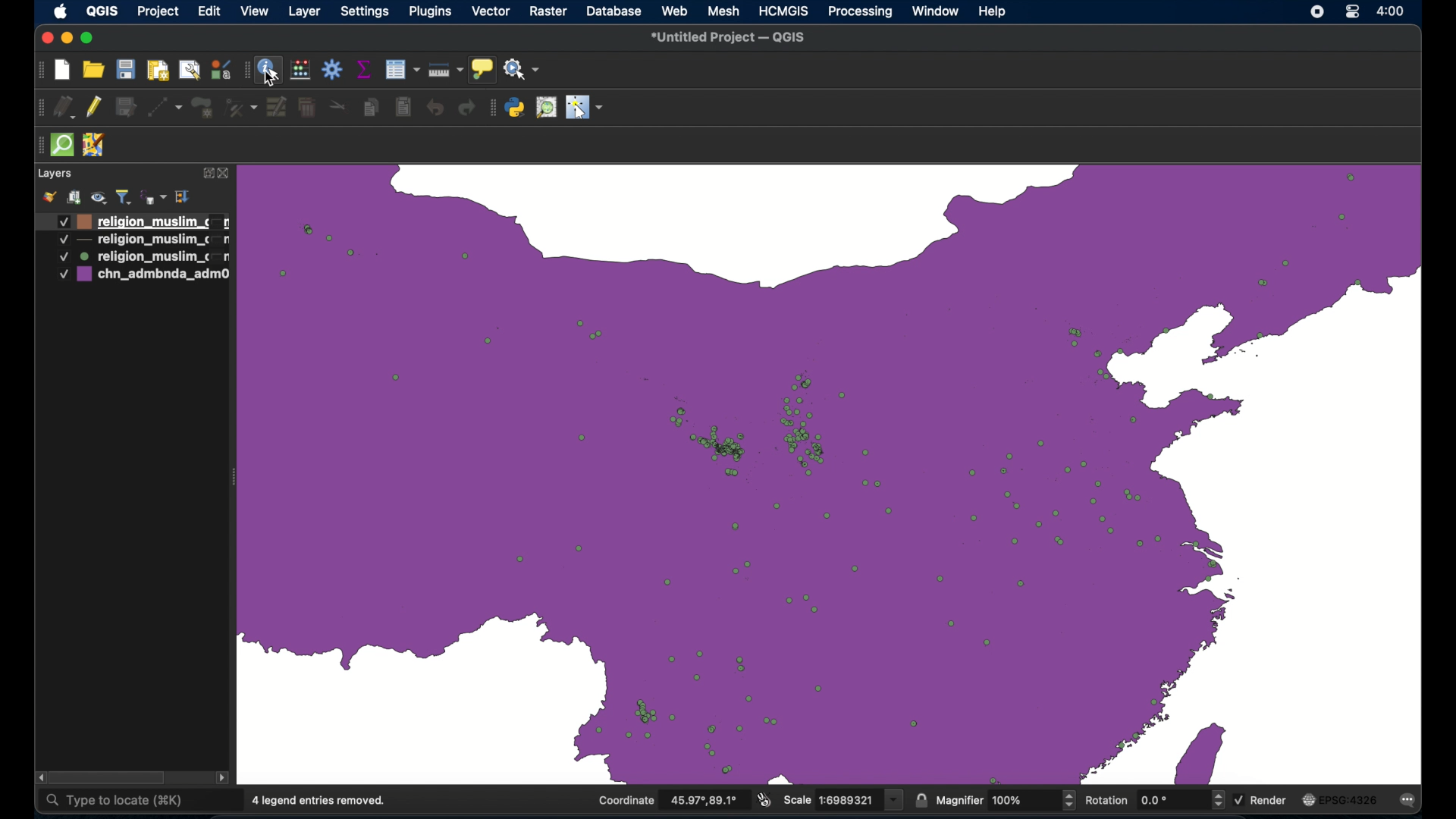  I want to click on zoomed in boundary map of china with point data, so click(830, 471).